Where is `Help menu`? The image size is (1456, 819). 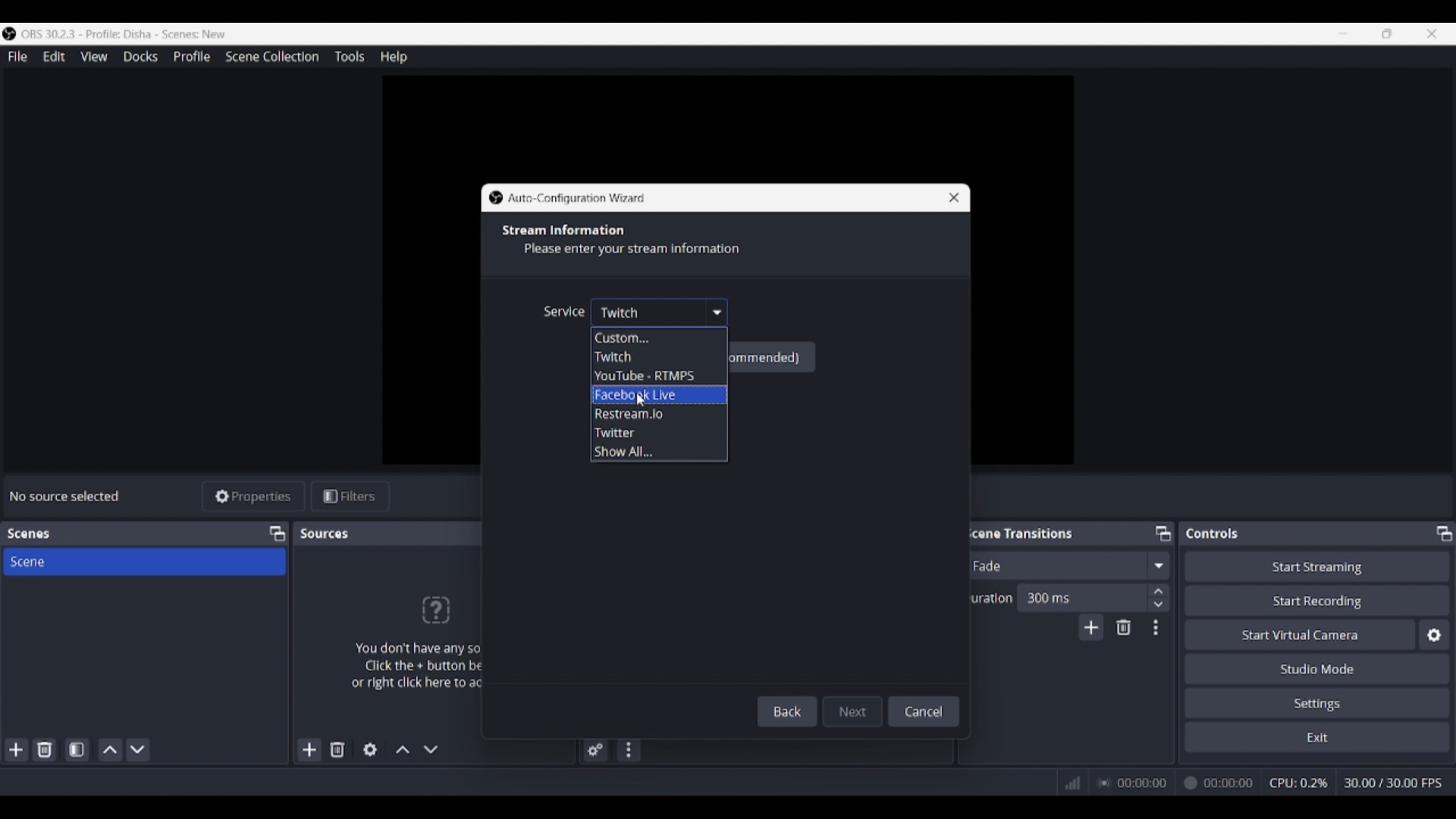 Help menu is located at coordinates (394, 57).